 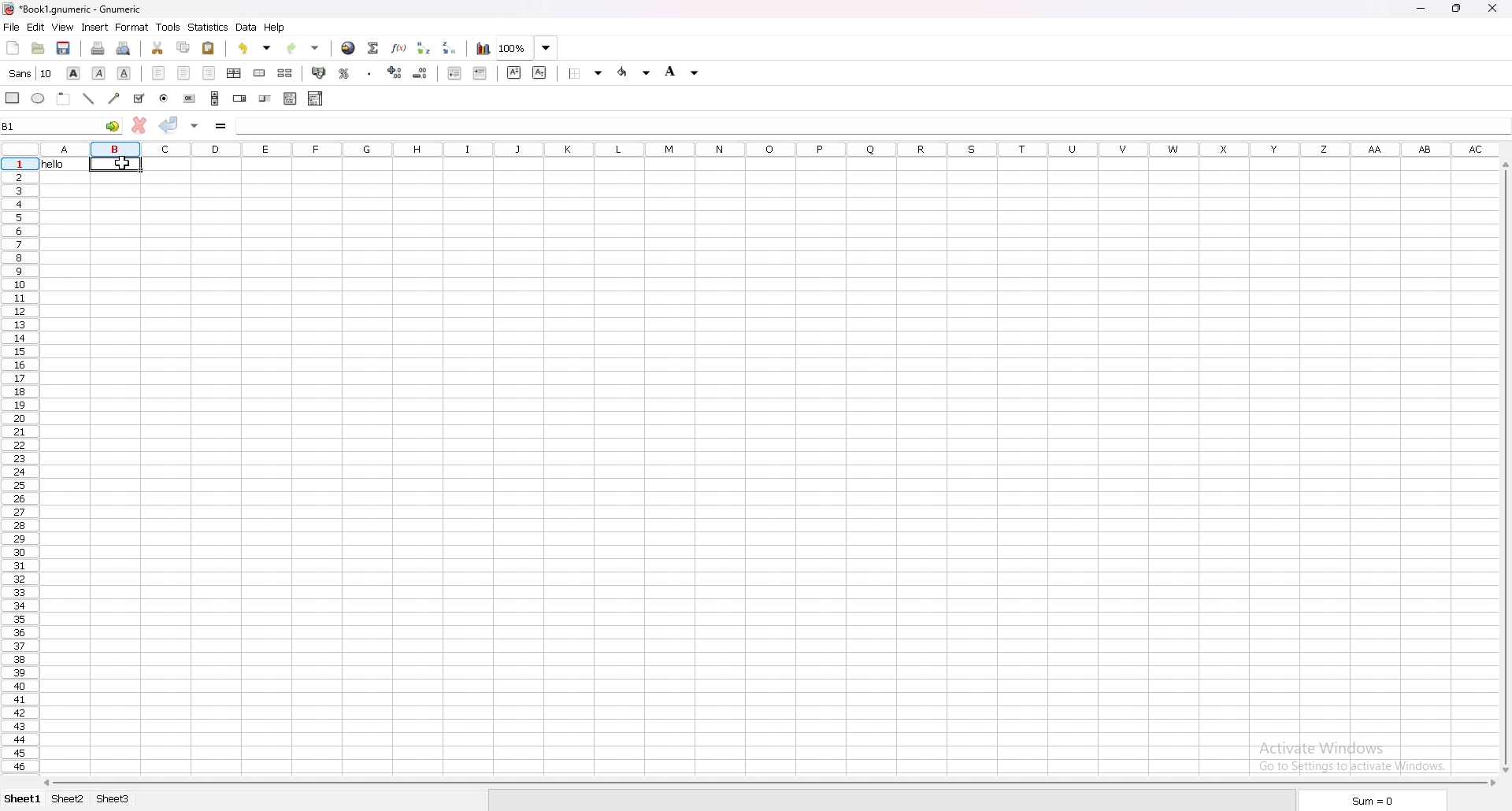 What do you see at coordinates (275, 27) in the screenshot?
I see `help` at bounding box center [275, 27].